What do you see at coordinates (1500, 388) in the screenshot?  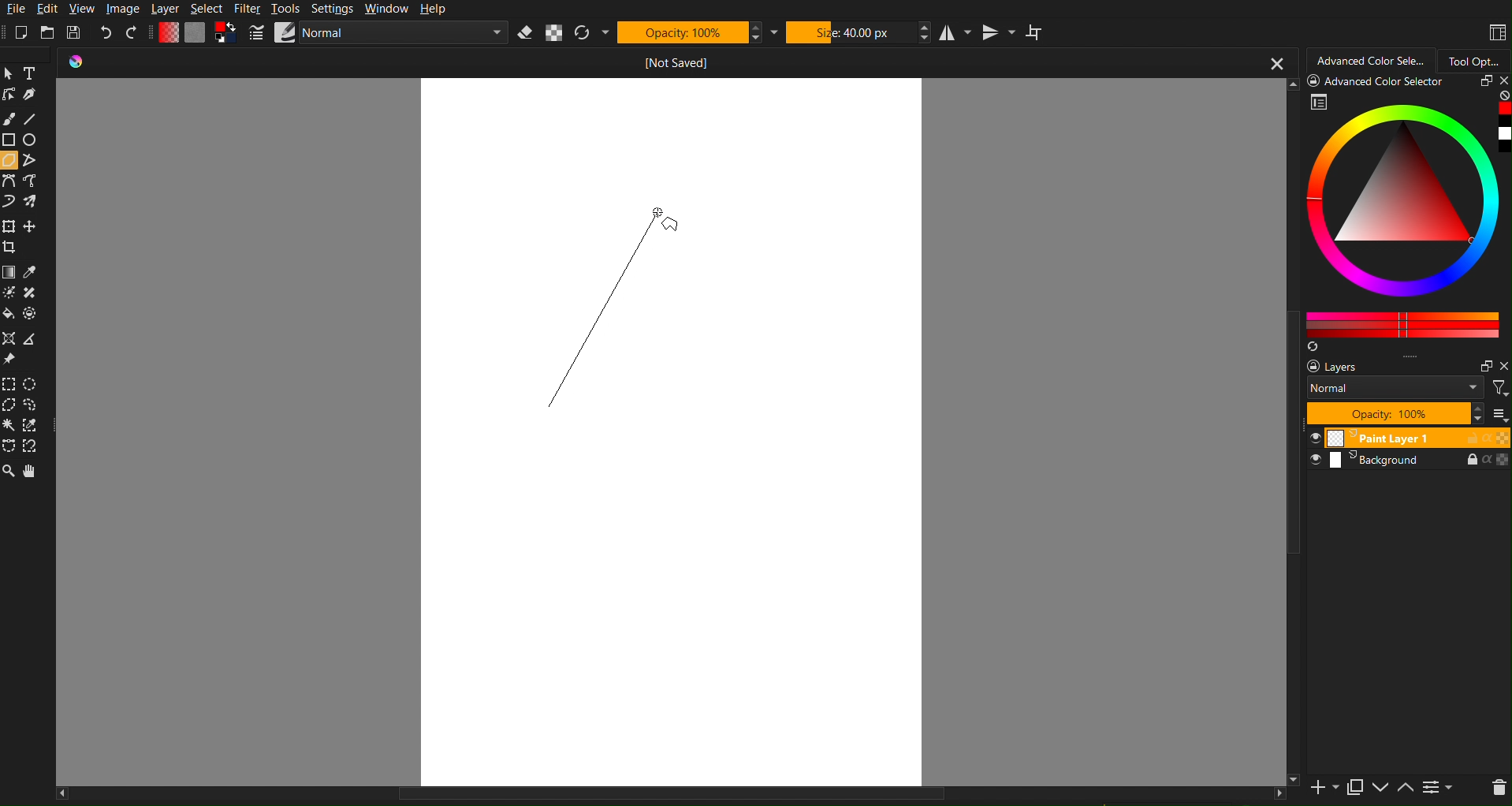 I see `filter` at bounding box center [1500, 388].